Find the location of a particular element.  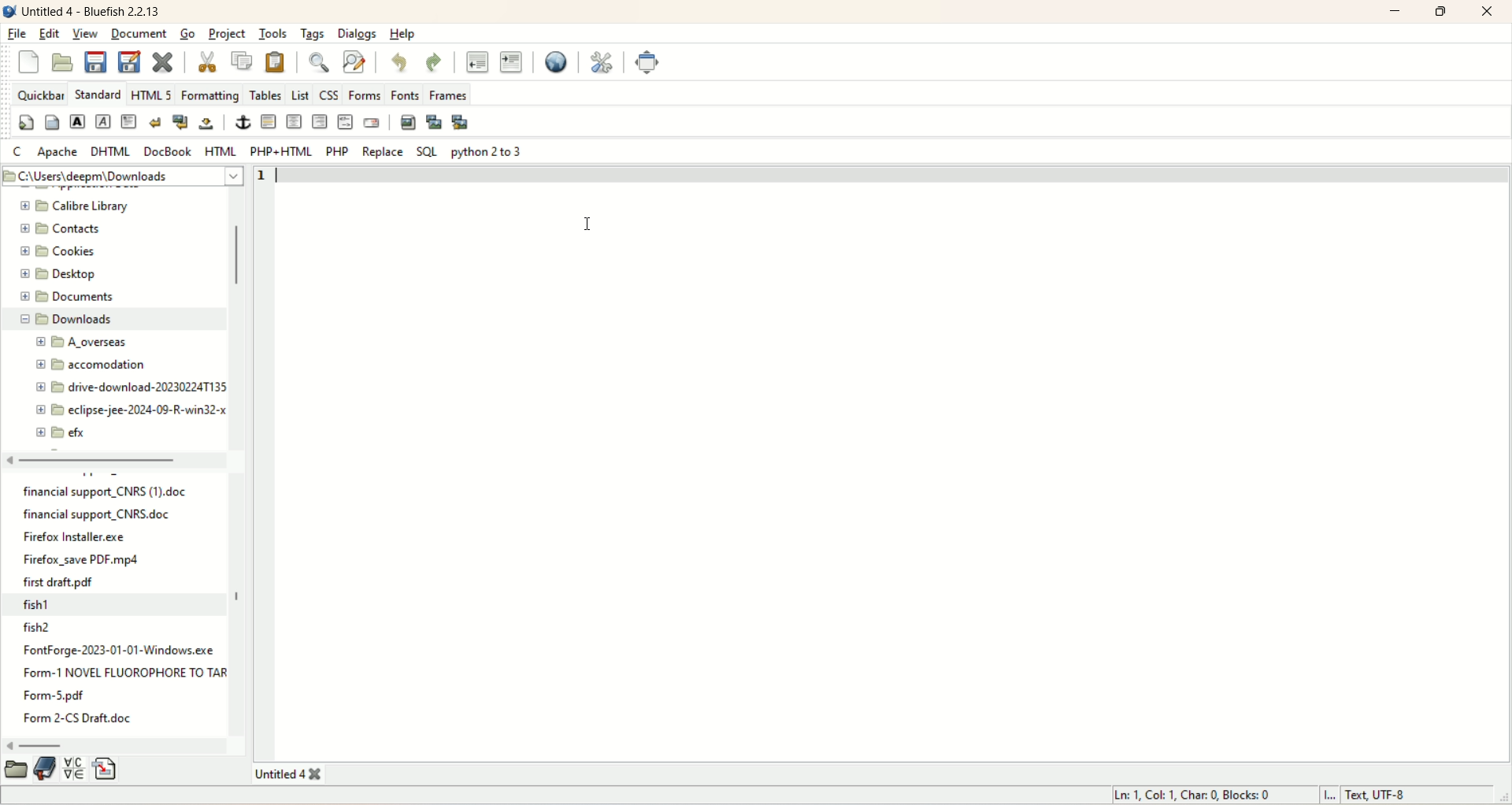

C is located at coordinates (16, 151).